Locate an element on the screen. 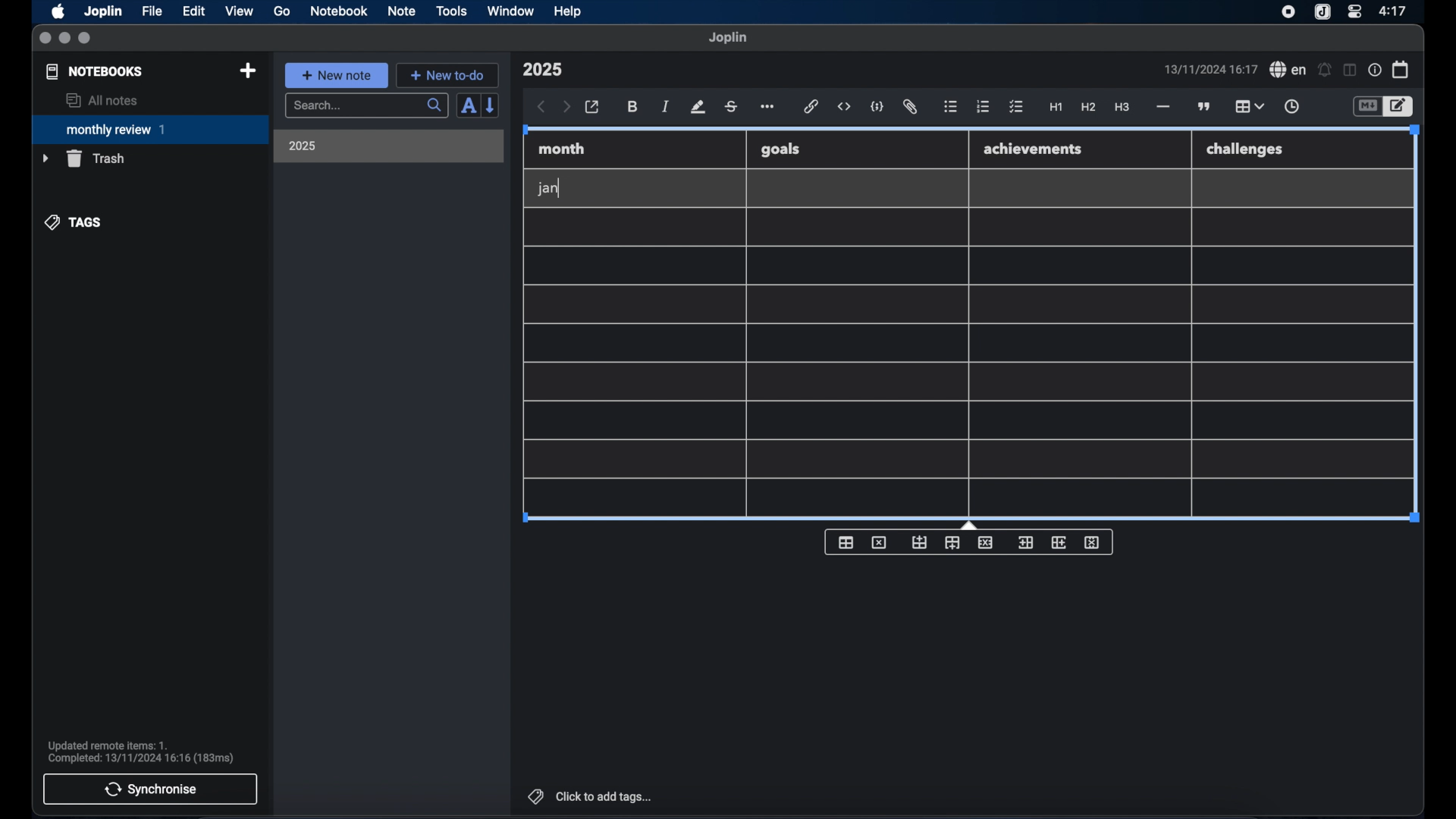  insert column before is located at coordinates (1025, 543).